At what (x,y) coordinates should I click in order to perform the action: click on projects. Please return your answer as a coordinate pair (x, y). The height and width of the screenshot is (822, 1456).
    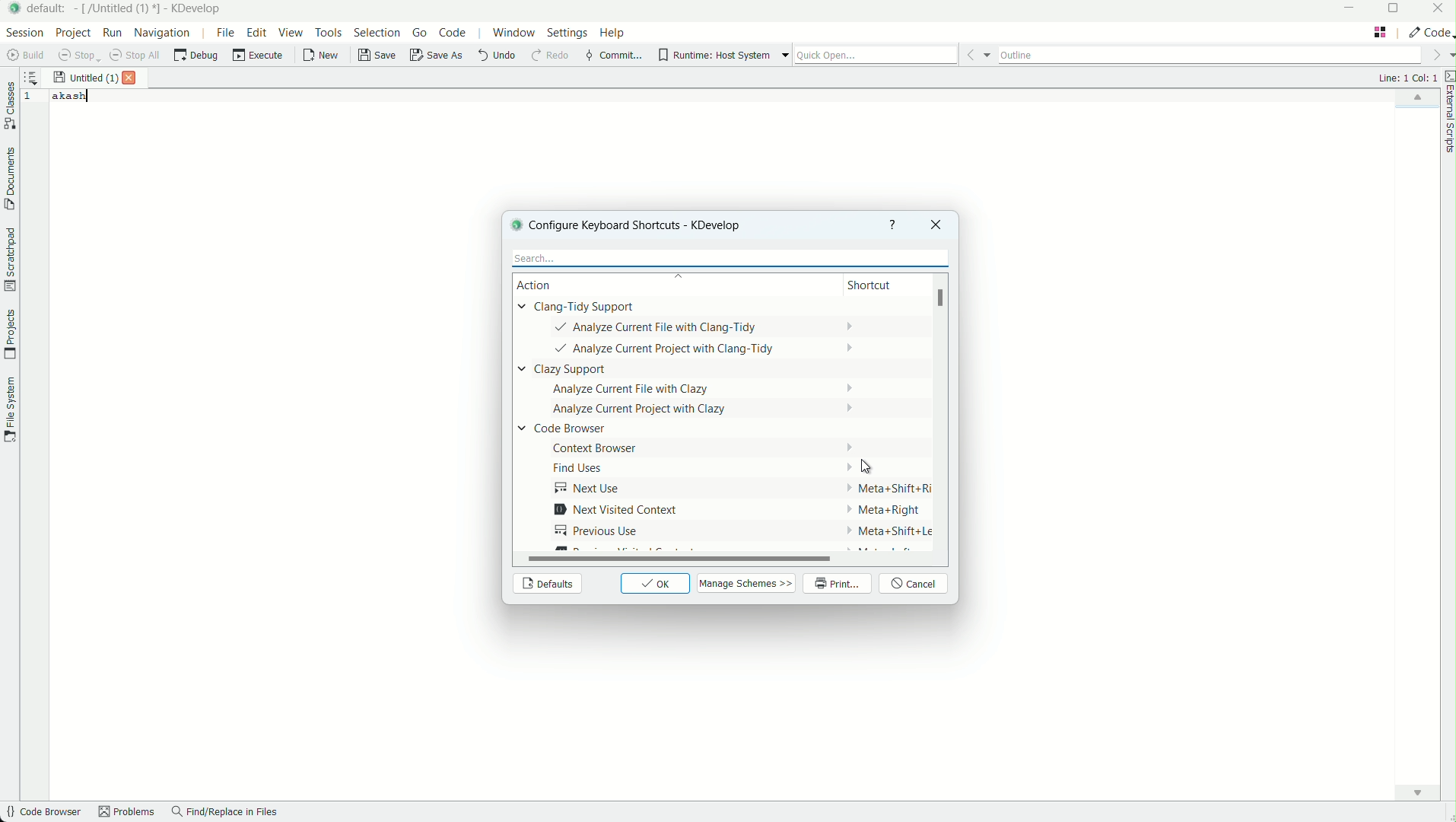
    Looking at the image, I should click on (9, 335).